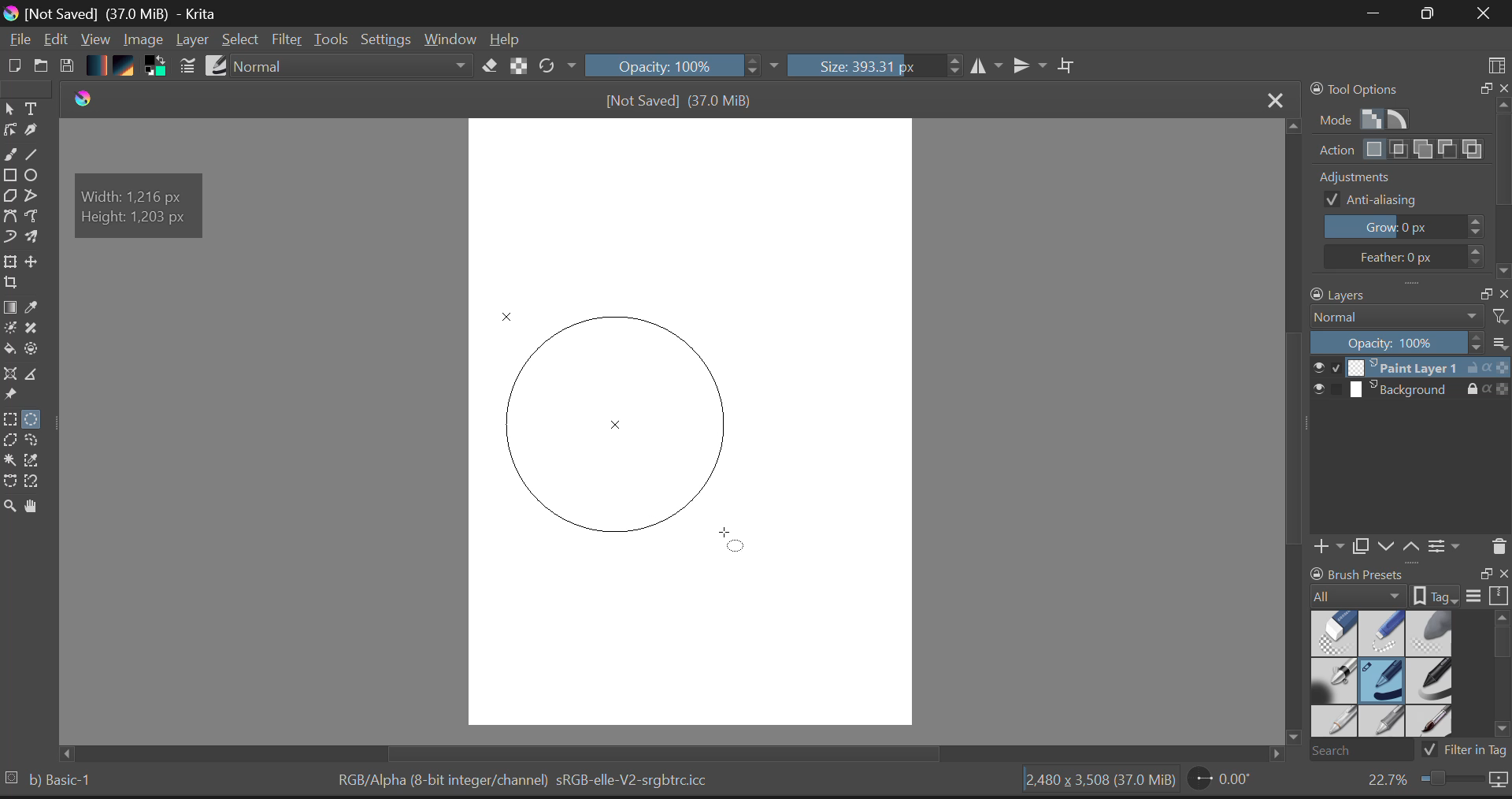  What do you see at coordinates (1480, 15) in the screenshot?
I see `Close` at bounding box center [1480, 15].